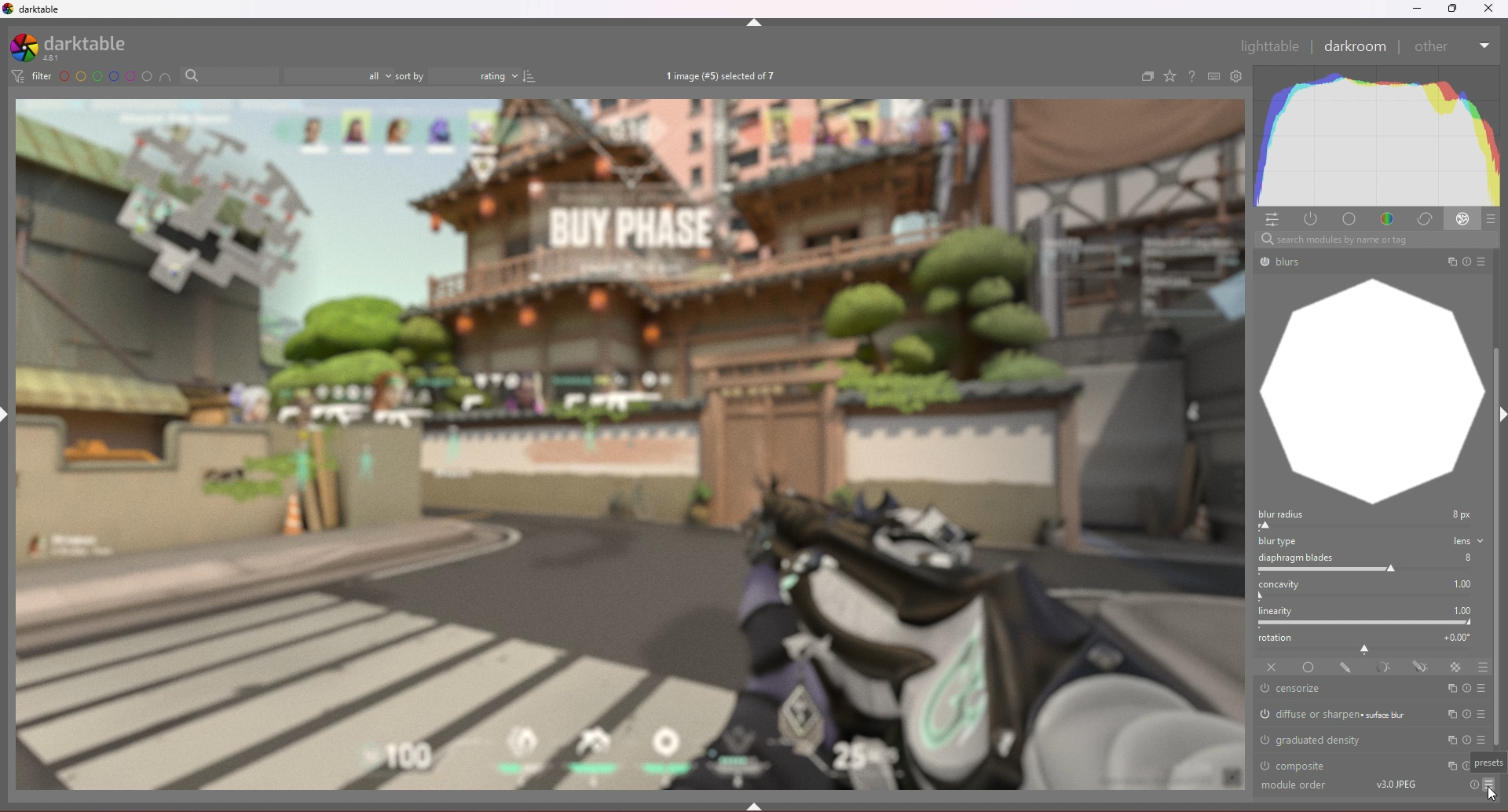 The width and height of the screenshot is (1508, 812). What do you see at coordinates (1451, 9) in the screenshot?
I see `resize` at bounding box center [1451, 9].